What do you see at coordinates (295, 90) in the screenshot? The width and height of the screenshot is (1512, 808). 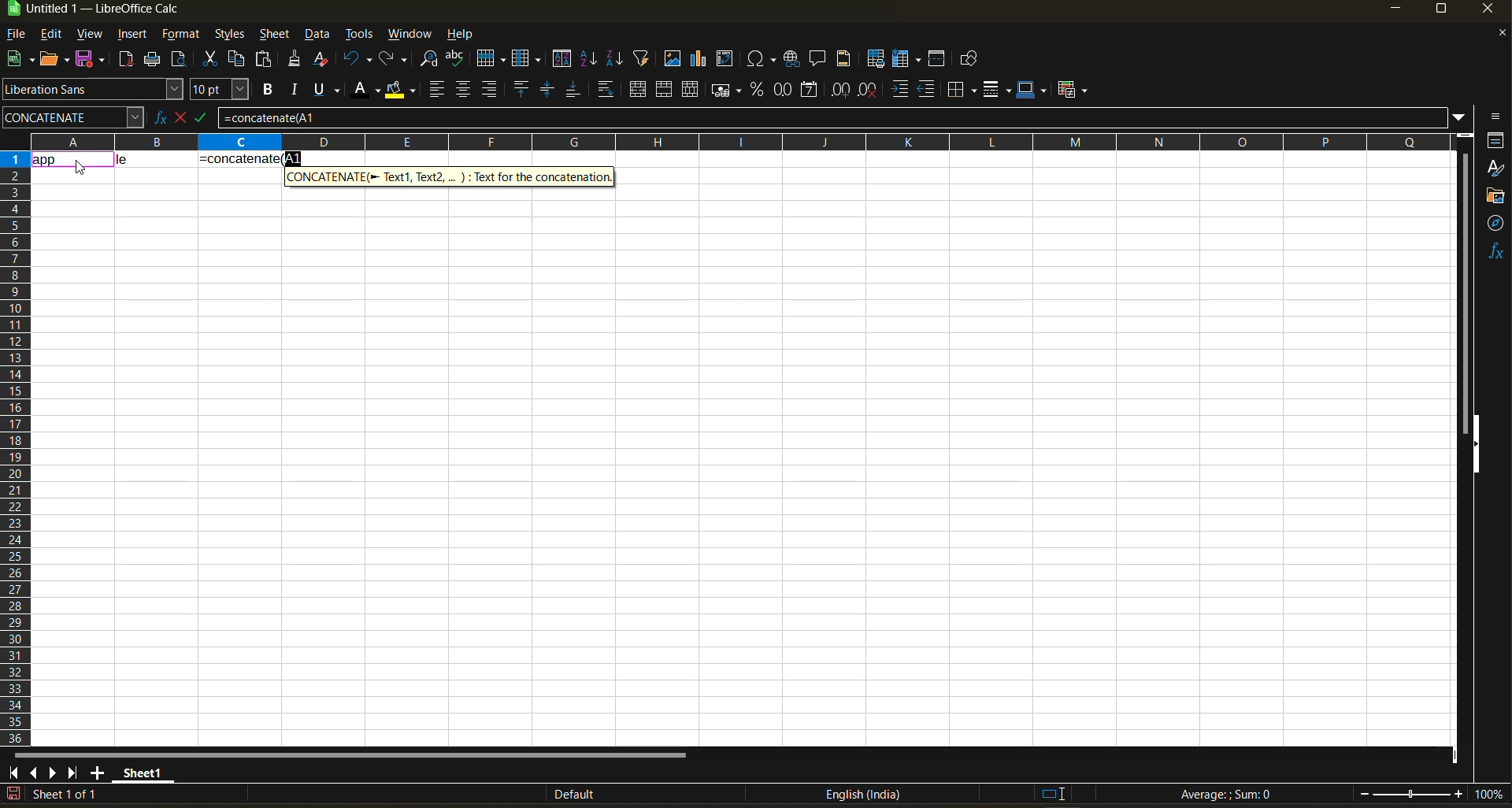 I see `italic` at bounding box center [295, 90].